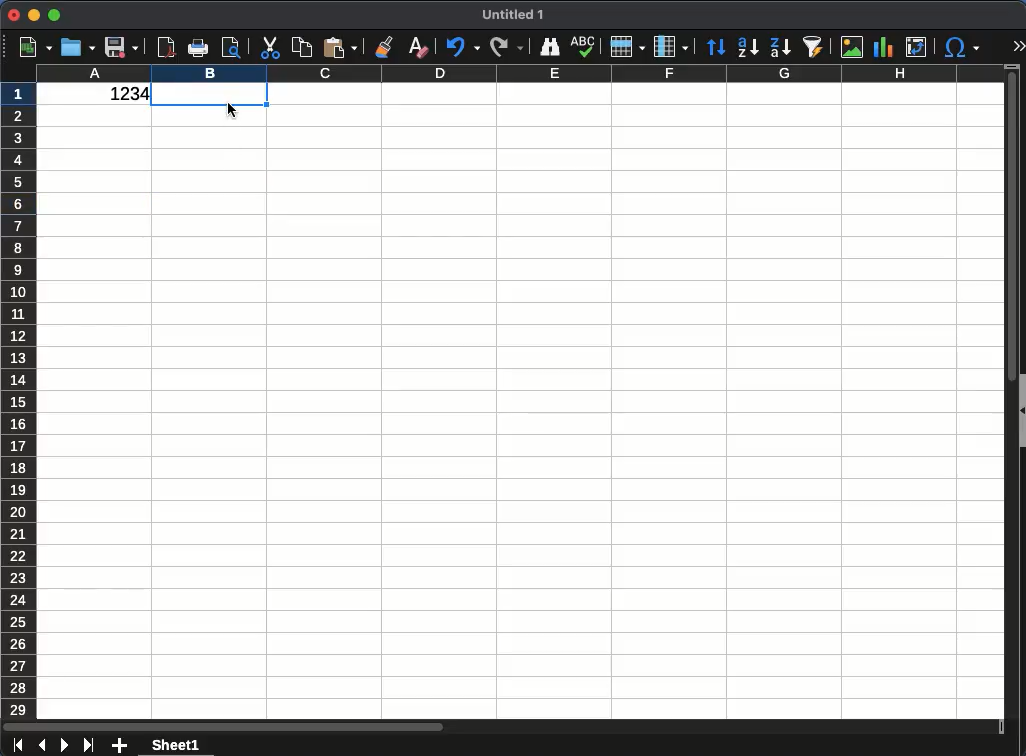 This screenshot has width=1026, height=756. I want to click on minimize, so click(34, 14).